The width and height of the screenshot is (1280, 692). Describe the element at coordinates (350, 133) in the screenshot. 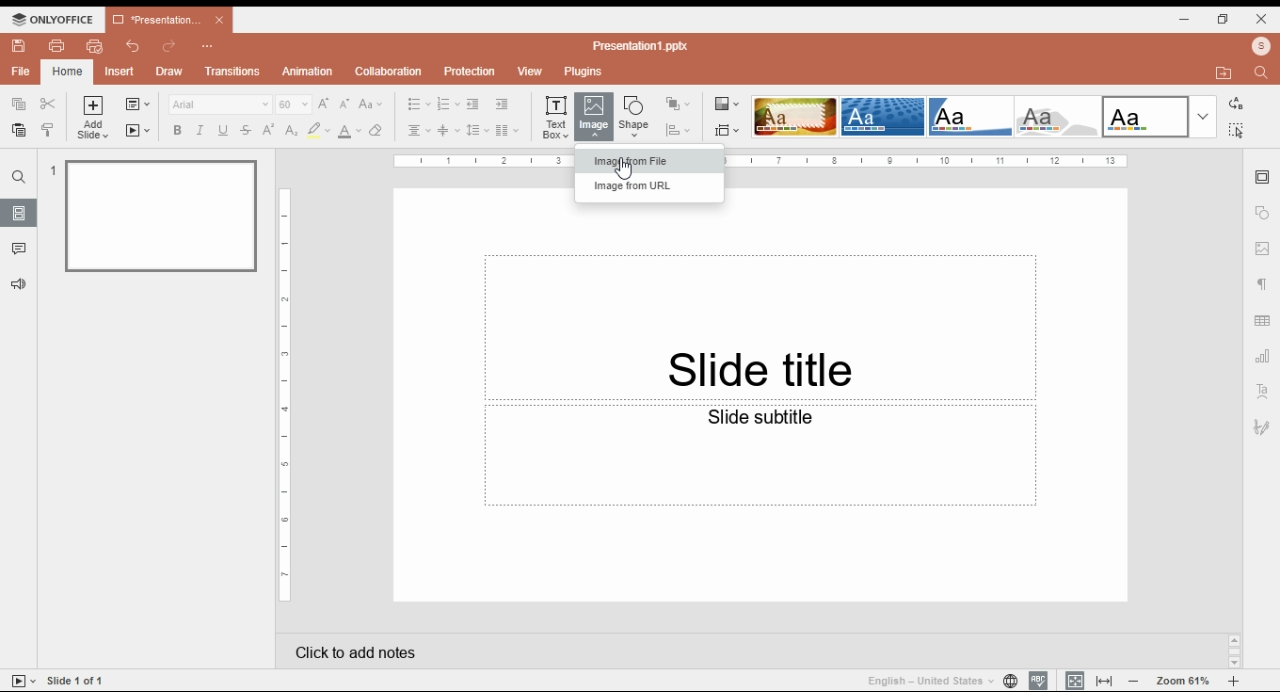

I see `font color` at that location.